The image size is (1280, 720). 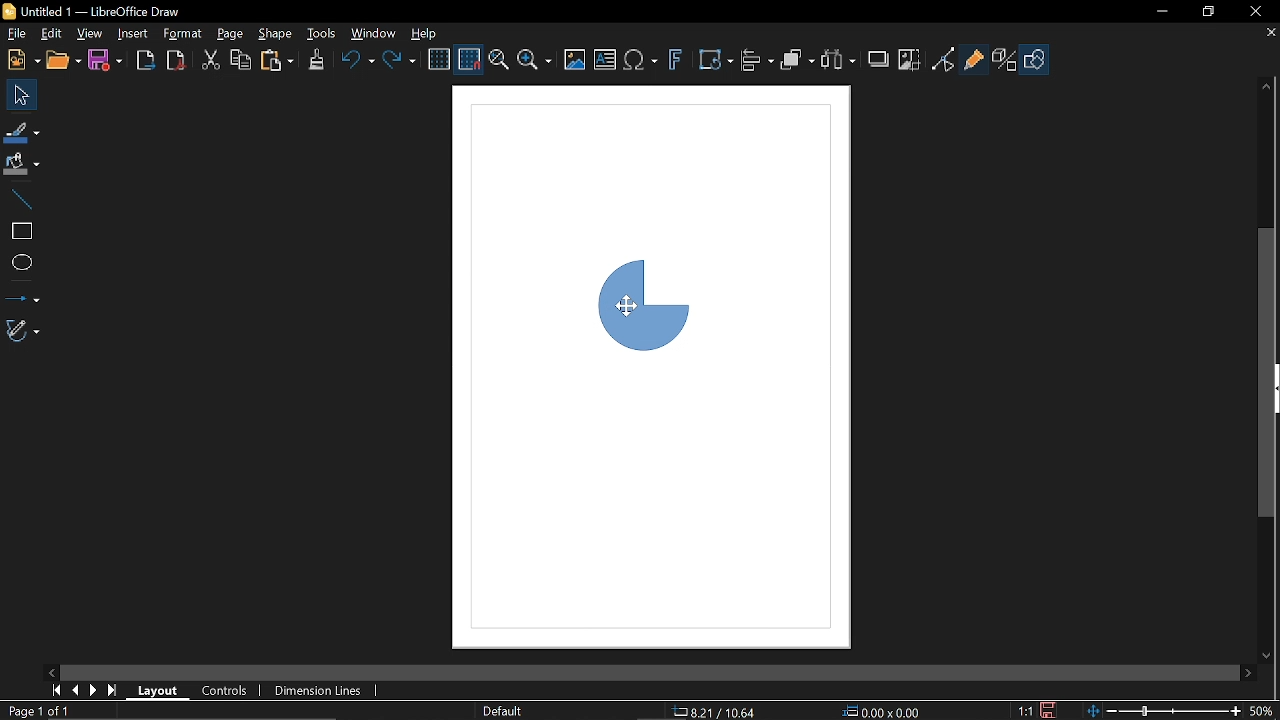 I want to click on Insert image, so click(x=575, y=59).